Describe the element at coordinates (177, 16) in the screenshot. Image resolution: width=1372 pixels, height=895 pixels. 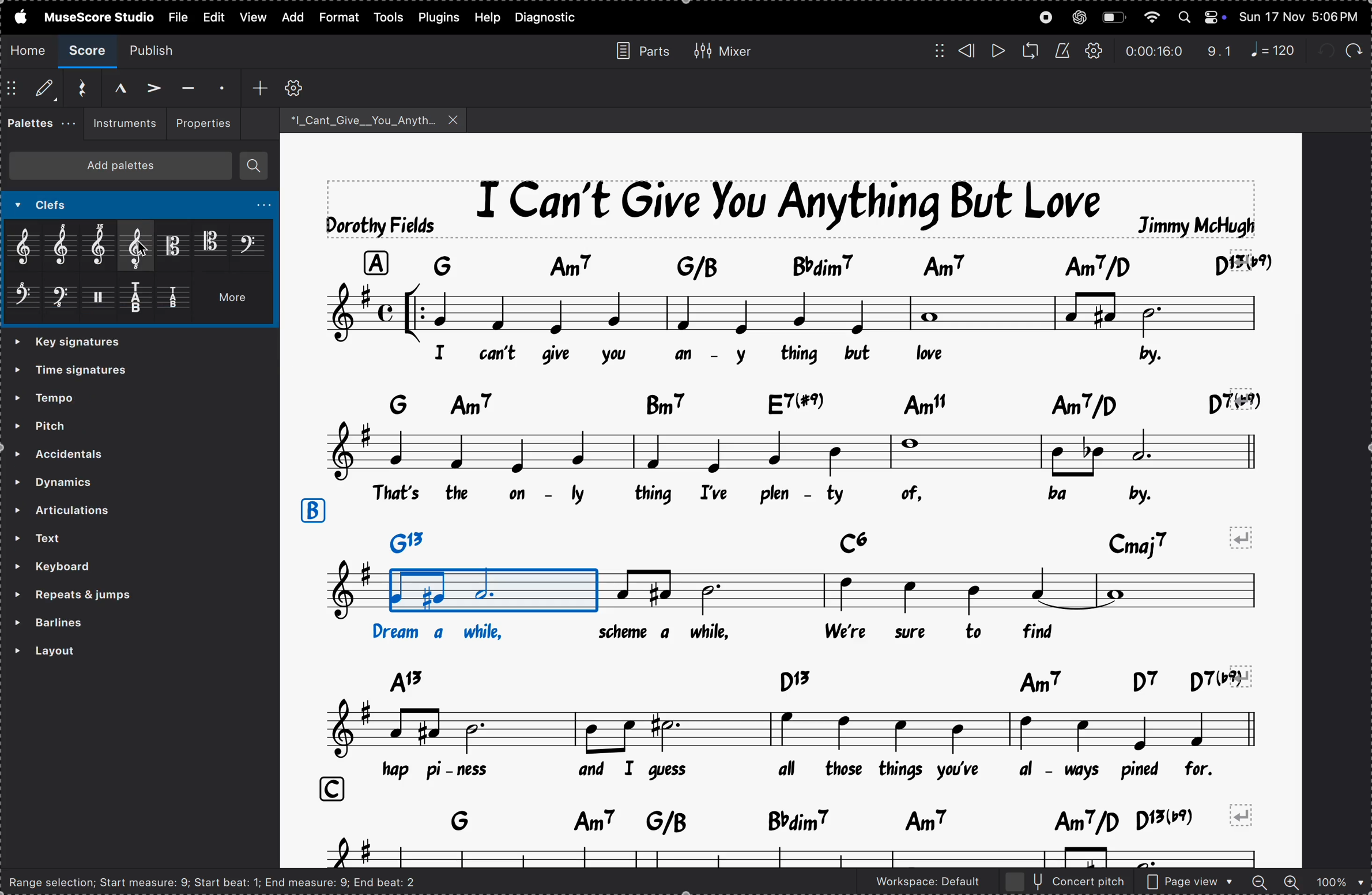
I see `file` at that location.